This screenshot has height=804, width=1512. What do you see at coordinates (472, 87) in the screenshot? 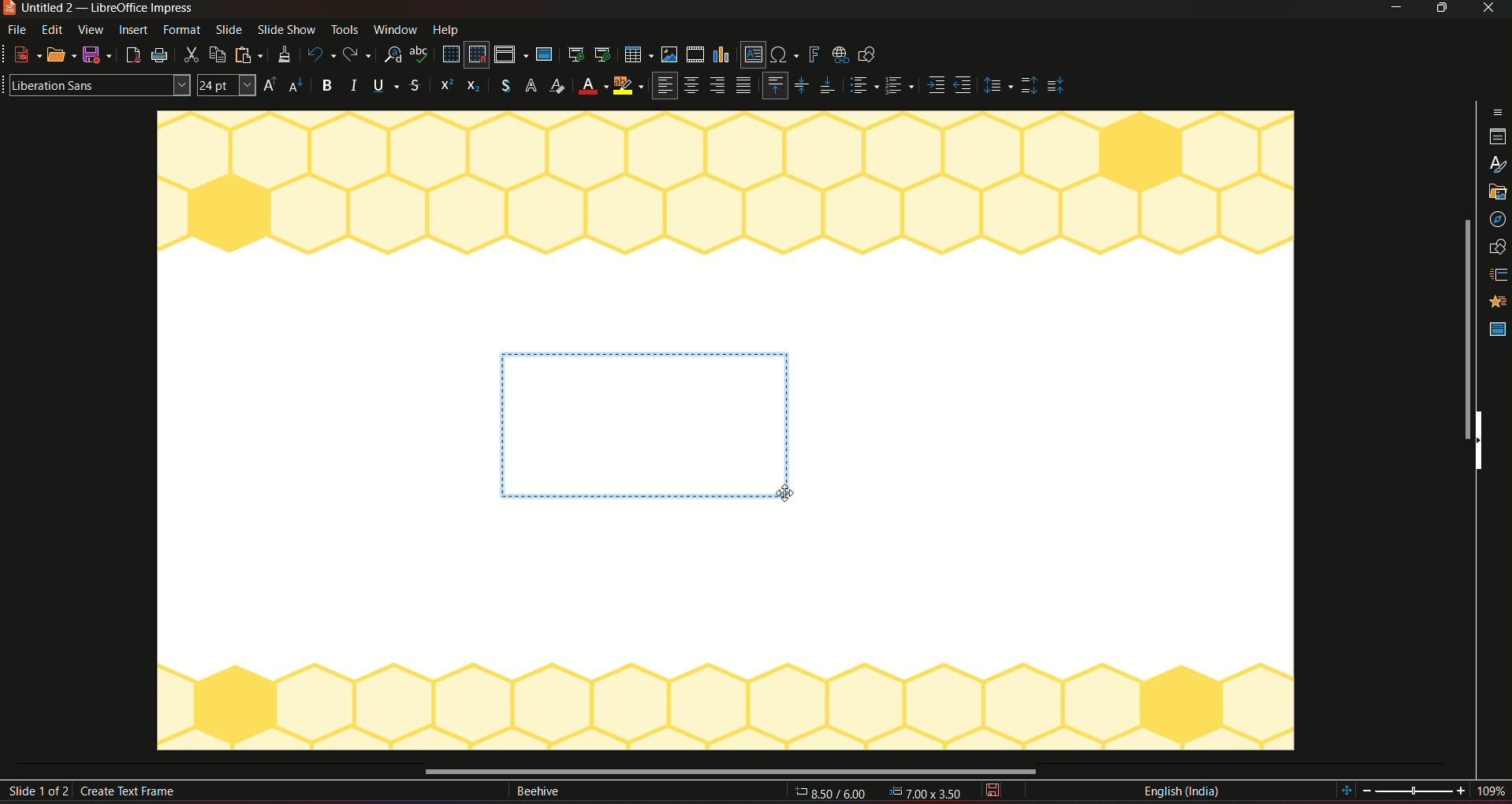
I see `icon` at bounding box center [472, 87].